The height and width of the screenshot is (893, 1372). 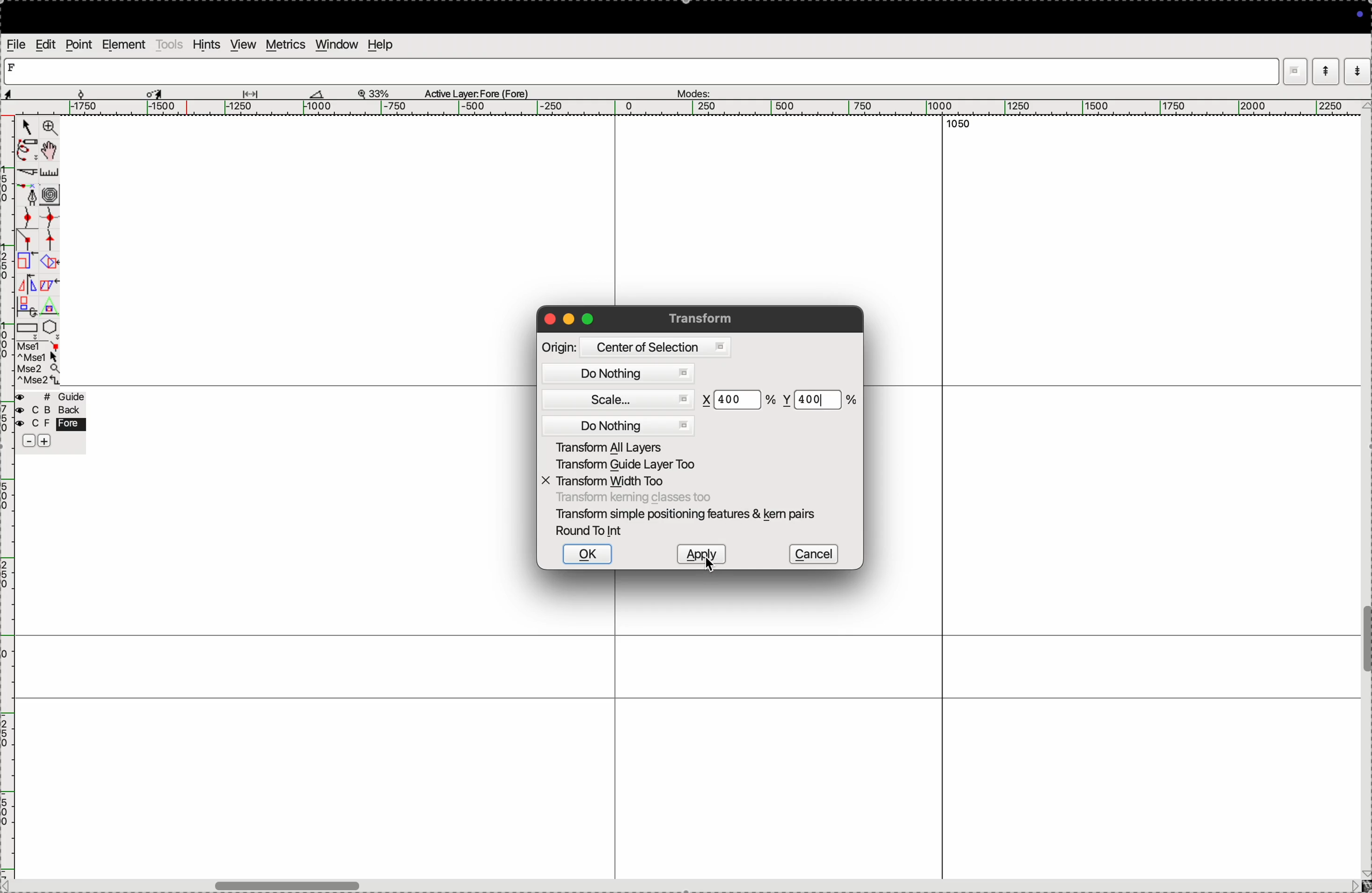 I want to click on closing, so click(x=549, y=319).